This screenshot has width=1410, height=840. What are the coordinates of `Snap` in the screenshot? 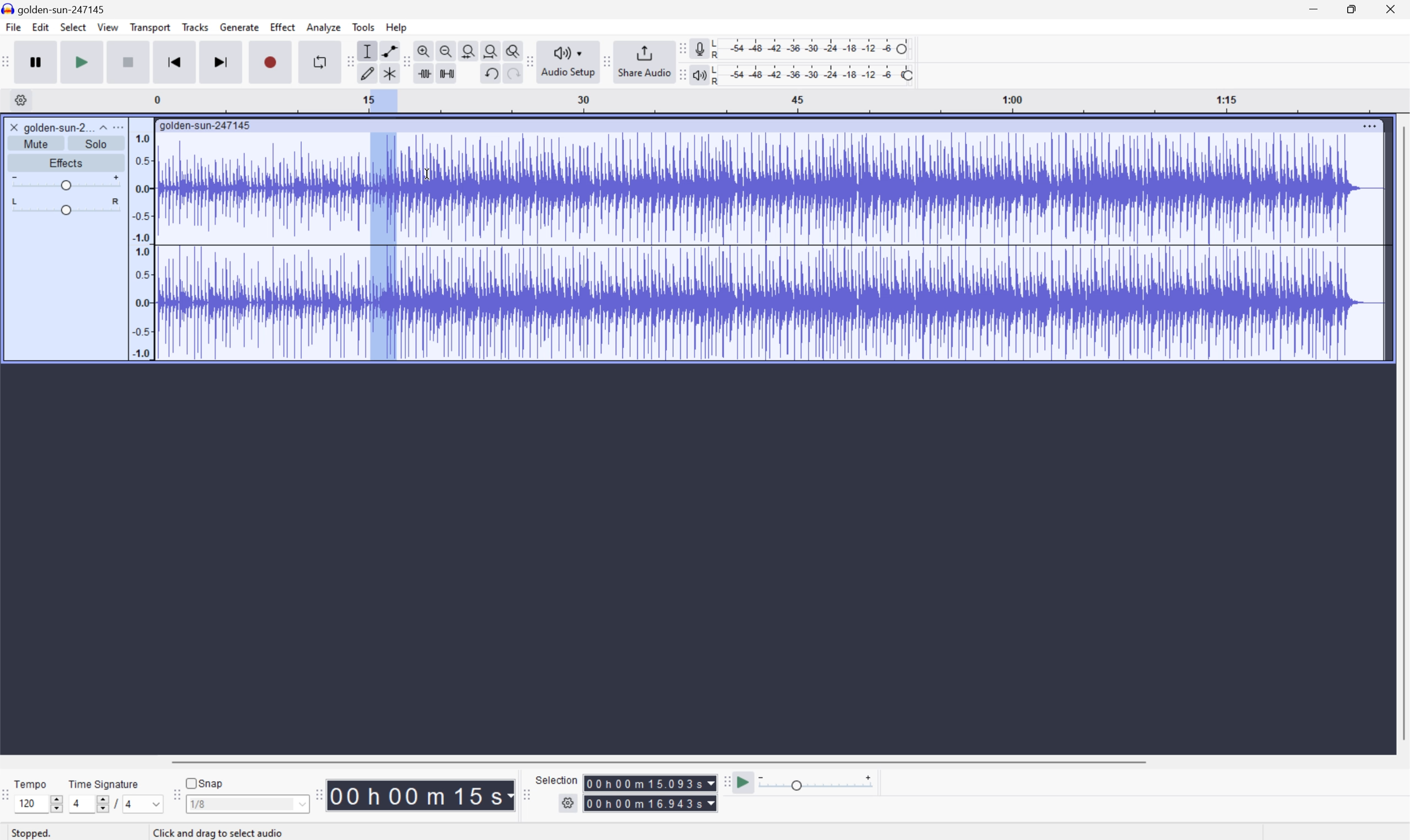 It's located at (204, 781).